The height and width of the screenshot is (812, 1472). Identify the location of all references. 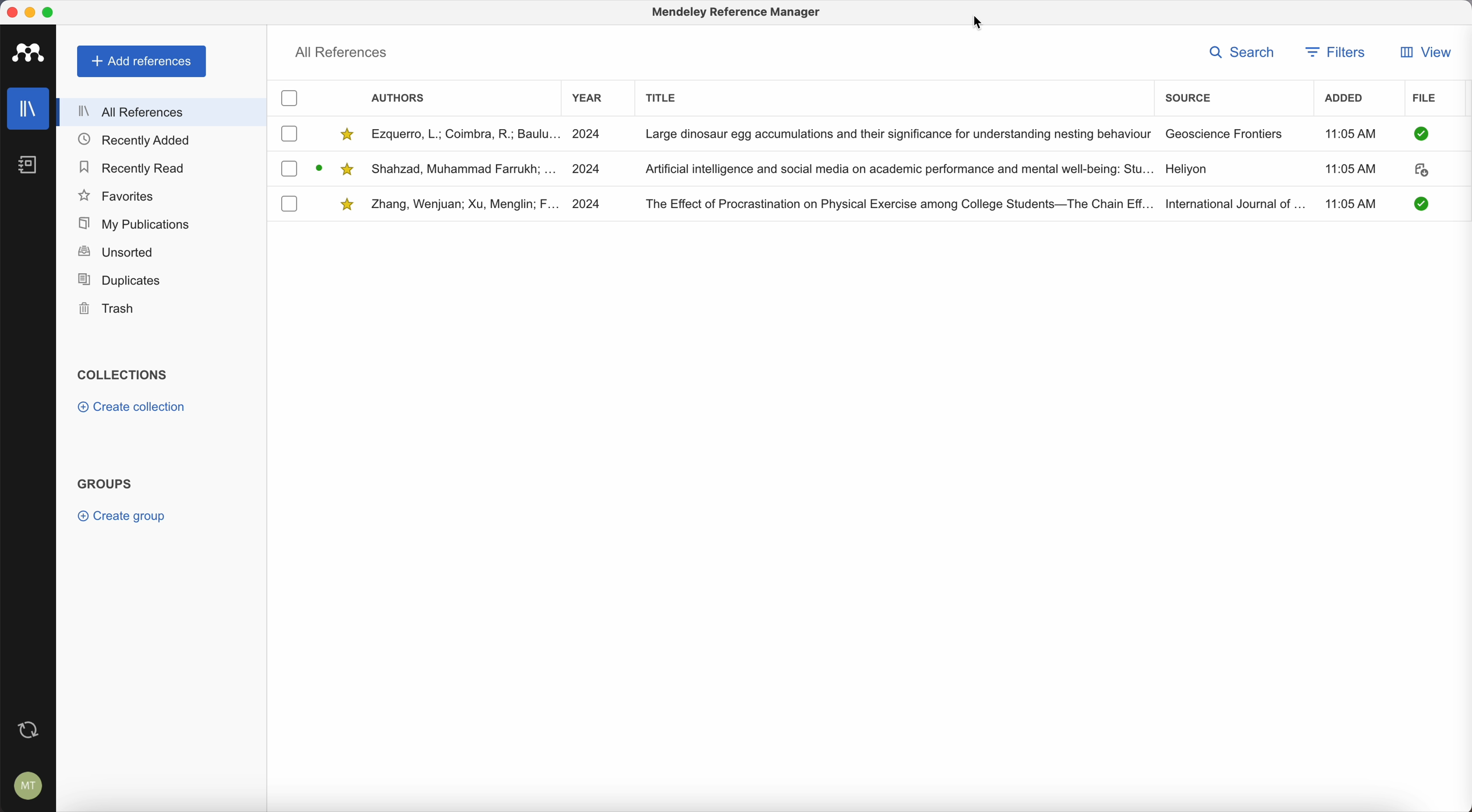
(342, 51).